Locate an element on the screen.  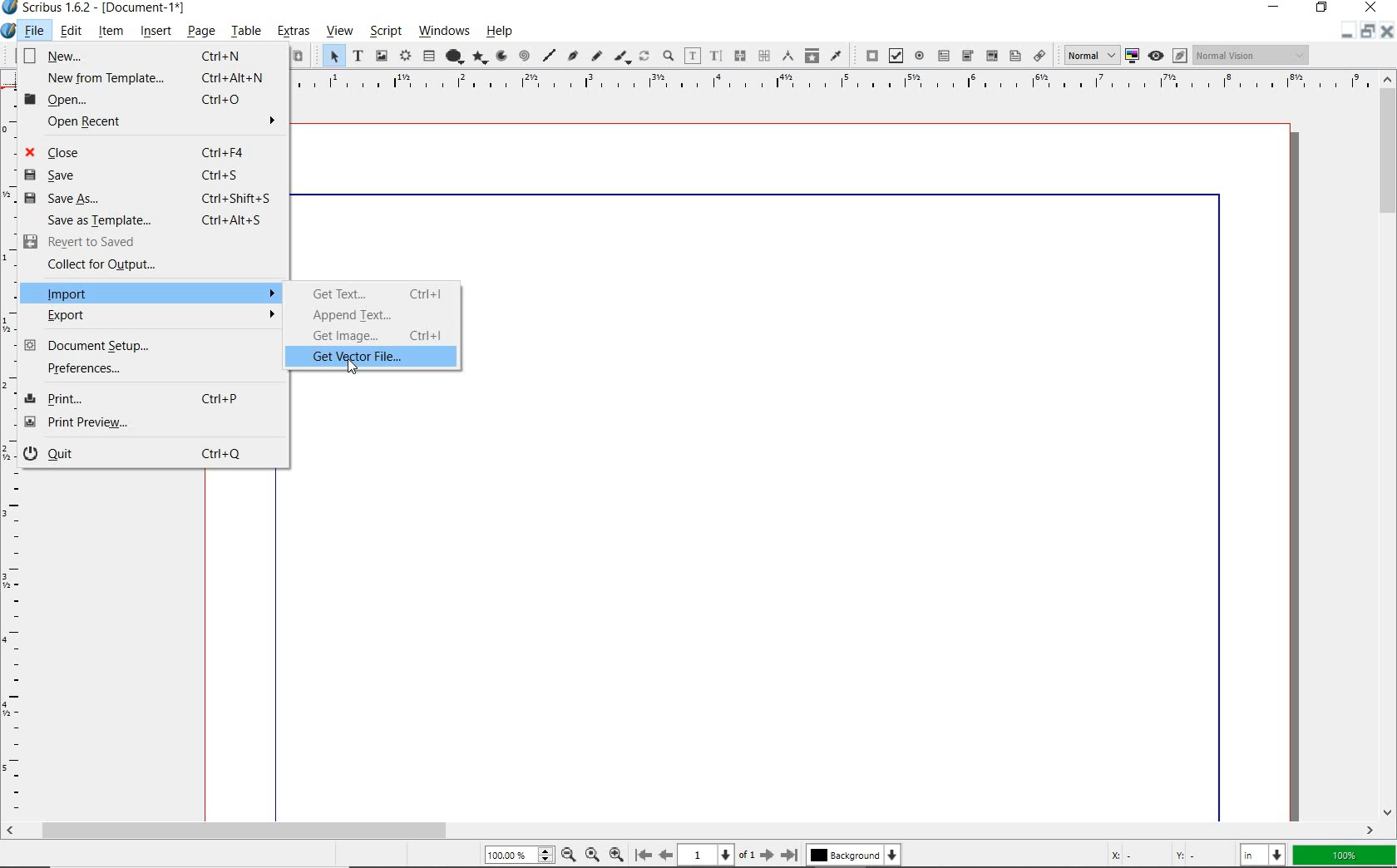
New... Ctrl+N is located at coordinates (152, 55).